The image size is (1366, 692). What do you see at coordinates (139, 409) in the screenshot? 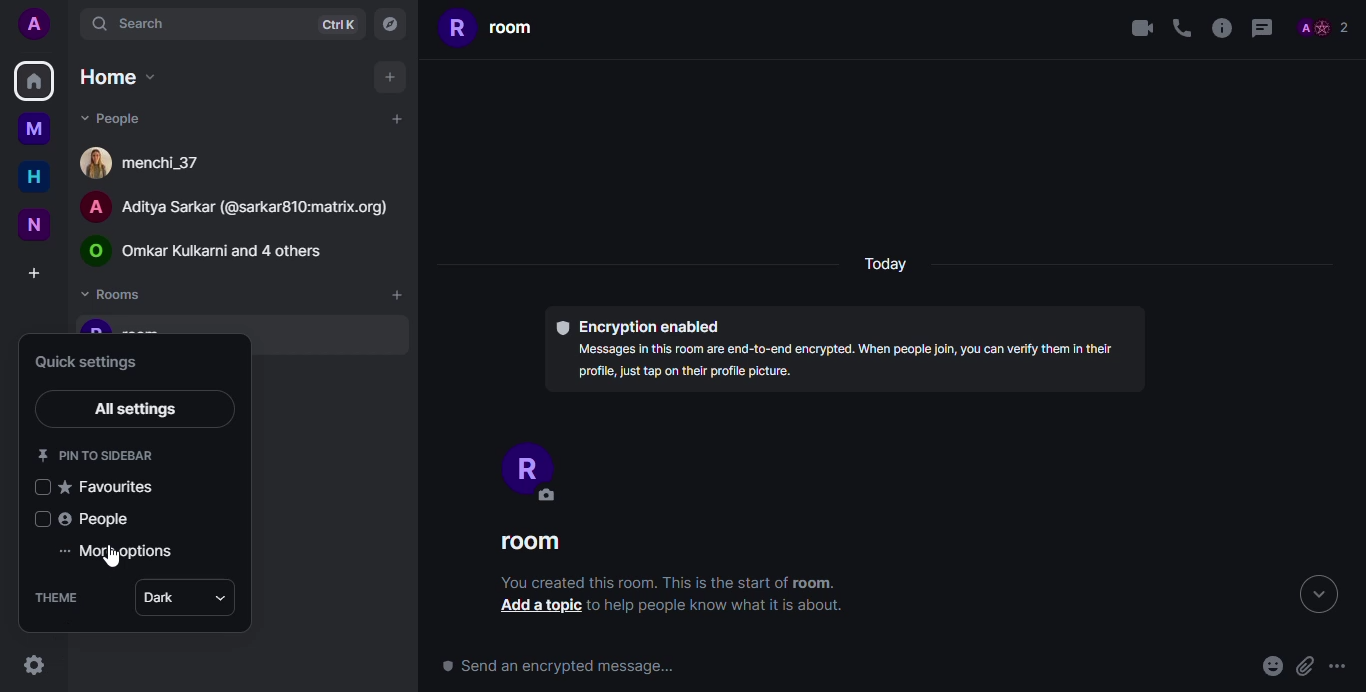
I see `all settings` at bounding box center [139, 409].